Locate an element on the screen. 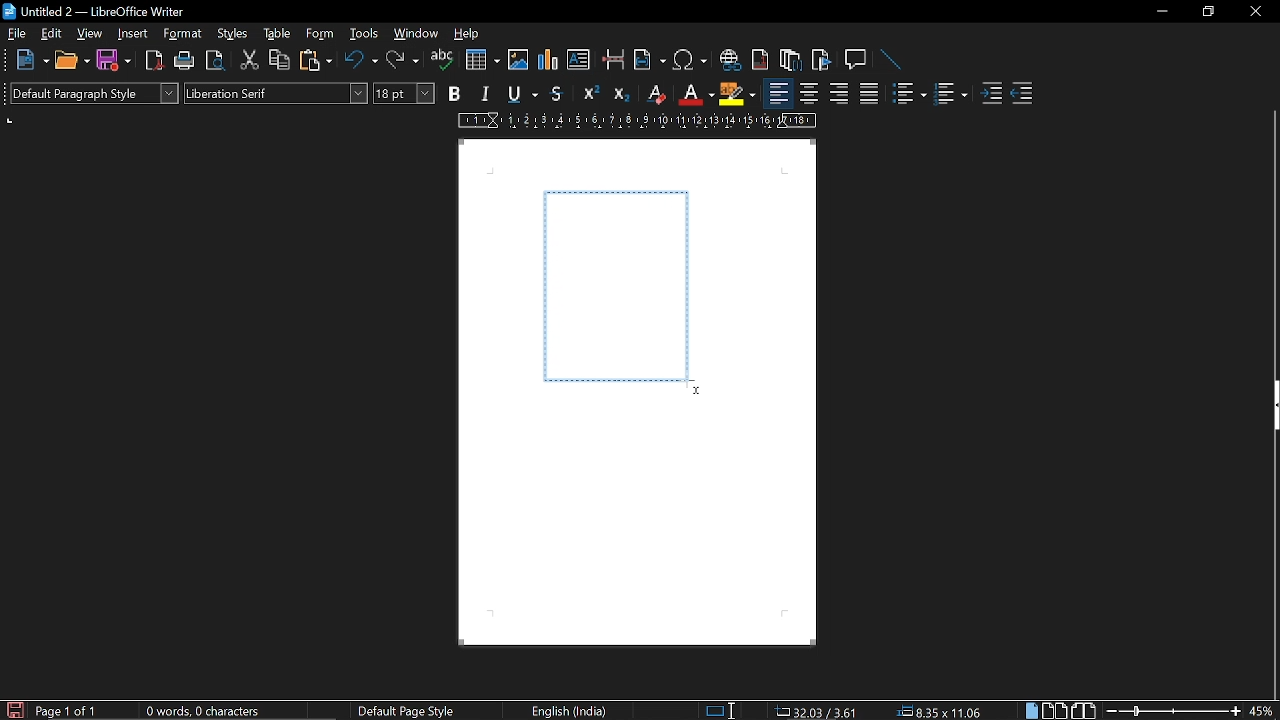 This screenshot has width=1280, height=720. cut is located at coordinates (247, 63).